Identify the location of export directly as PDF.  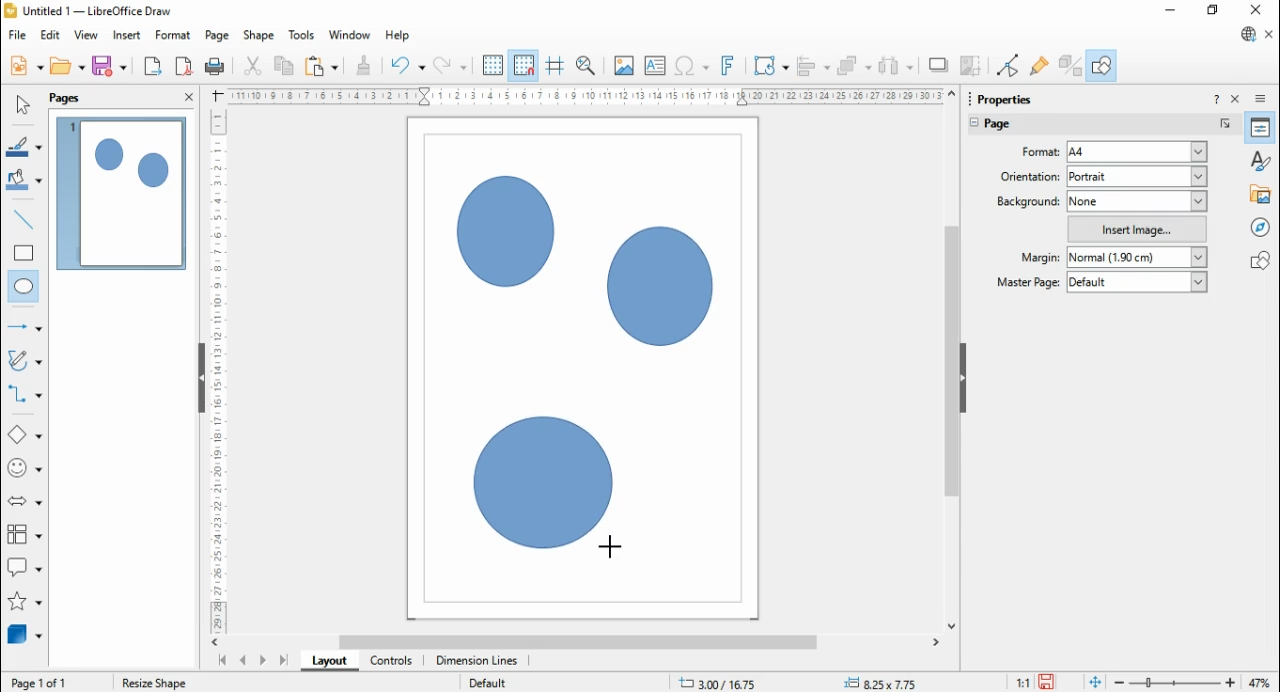
(183, 66).